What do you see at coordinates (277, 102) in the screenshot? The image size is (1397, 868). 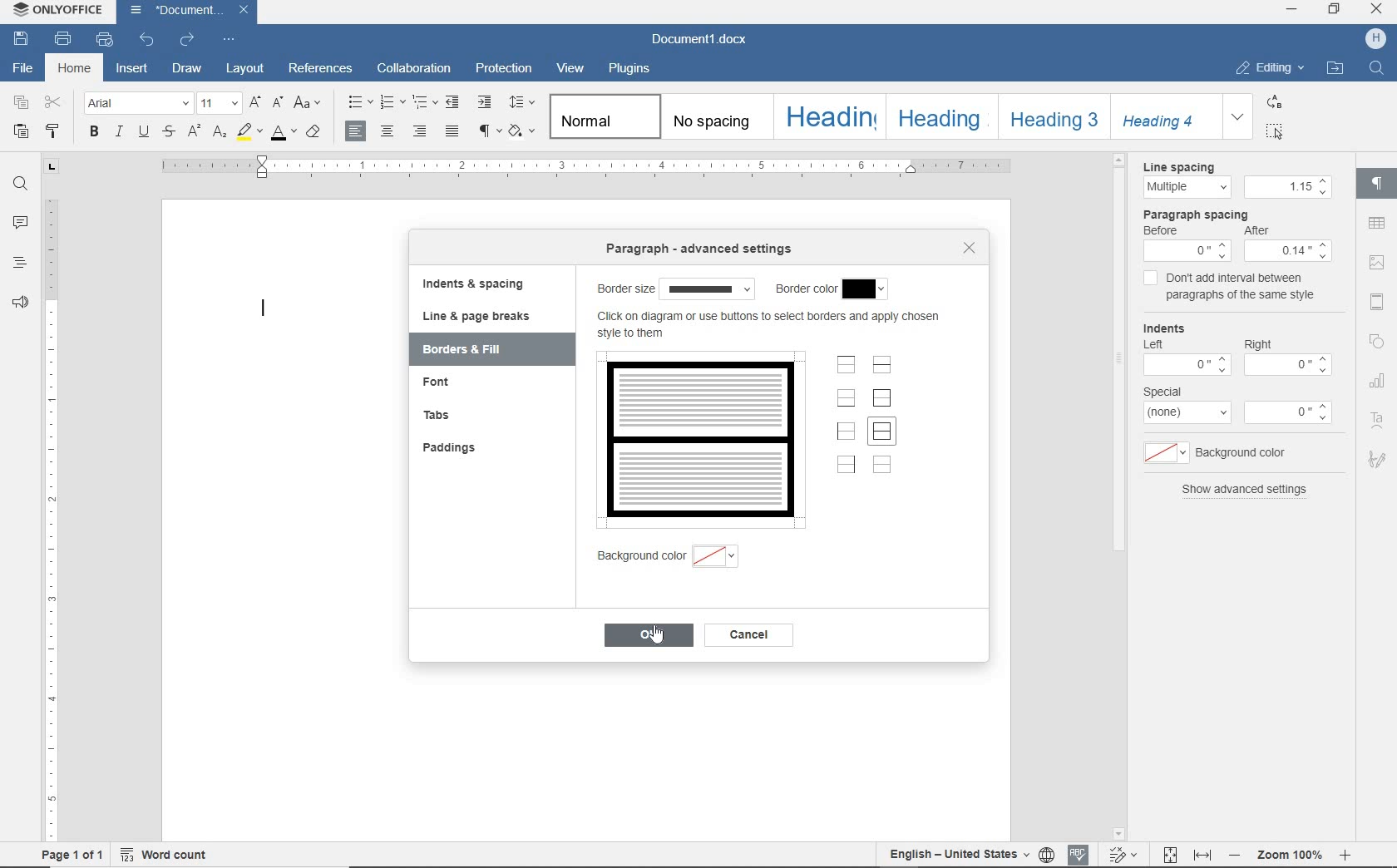 I see `decrement font size` at bounding box center [277, 102].